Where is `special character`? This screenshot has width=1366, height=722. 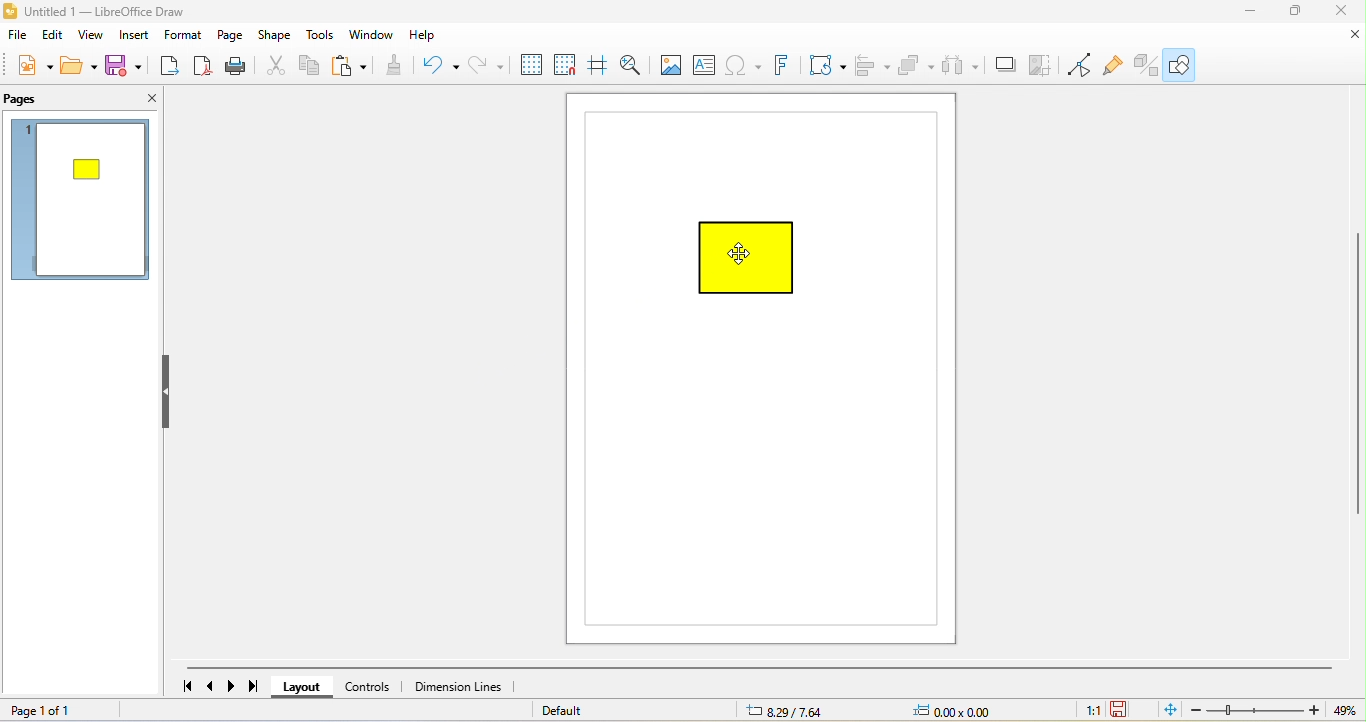
special character is located at coordinates (746, 66).